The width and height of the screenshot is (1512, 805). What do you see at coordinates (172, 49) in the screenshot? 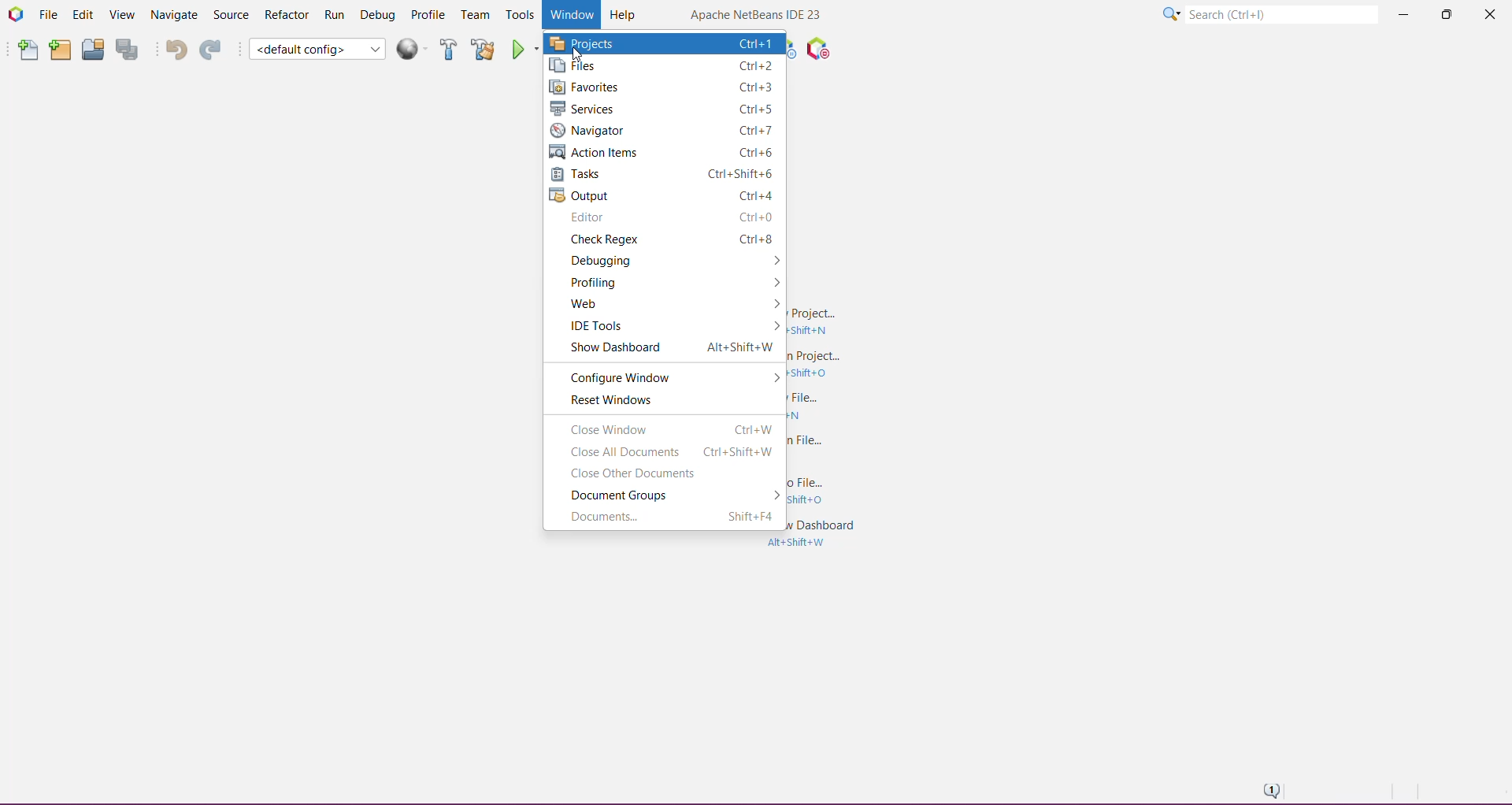
I see `Undo` at bounding box center [172, 49].